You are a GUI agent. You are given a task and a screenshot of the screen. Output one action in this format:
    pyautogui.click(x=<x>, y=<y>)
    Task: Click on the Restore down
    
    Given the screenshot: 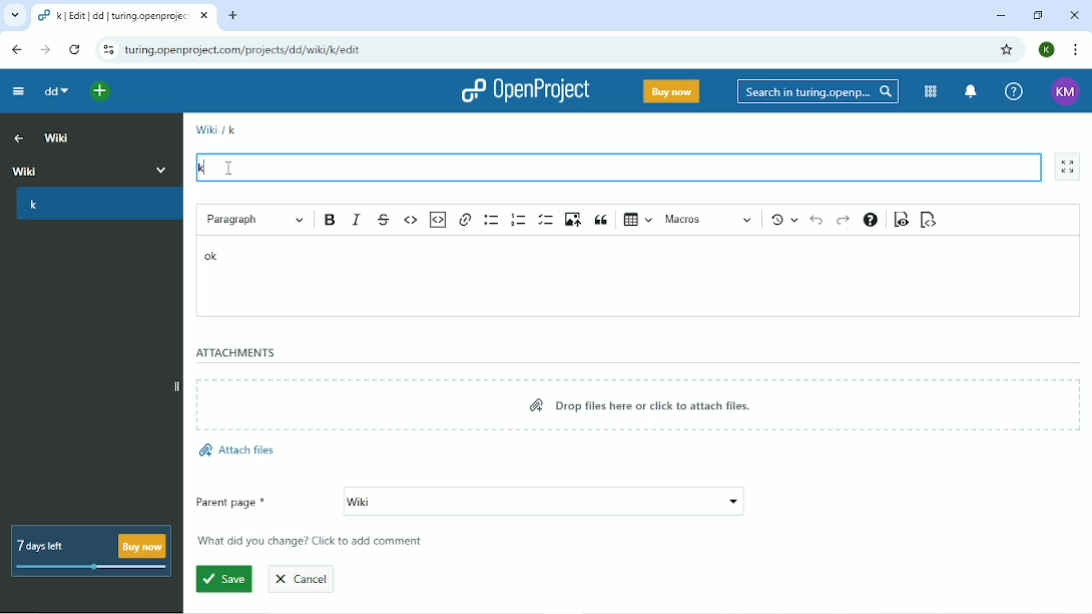 What is the action you would take?
    pyautogui.click(x=1037, y=15)
    